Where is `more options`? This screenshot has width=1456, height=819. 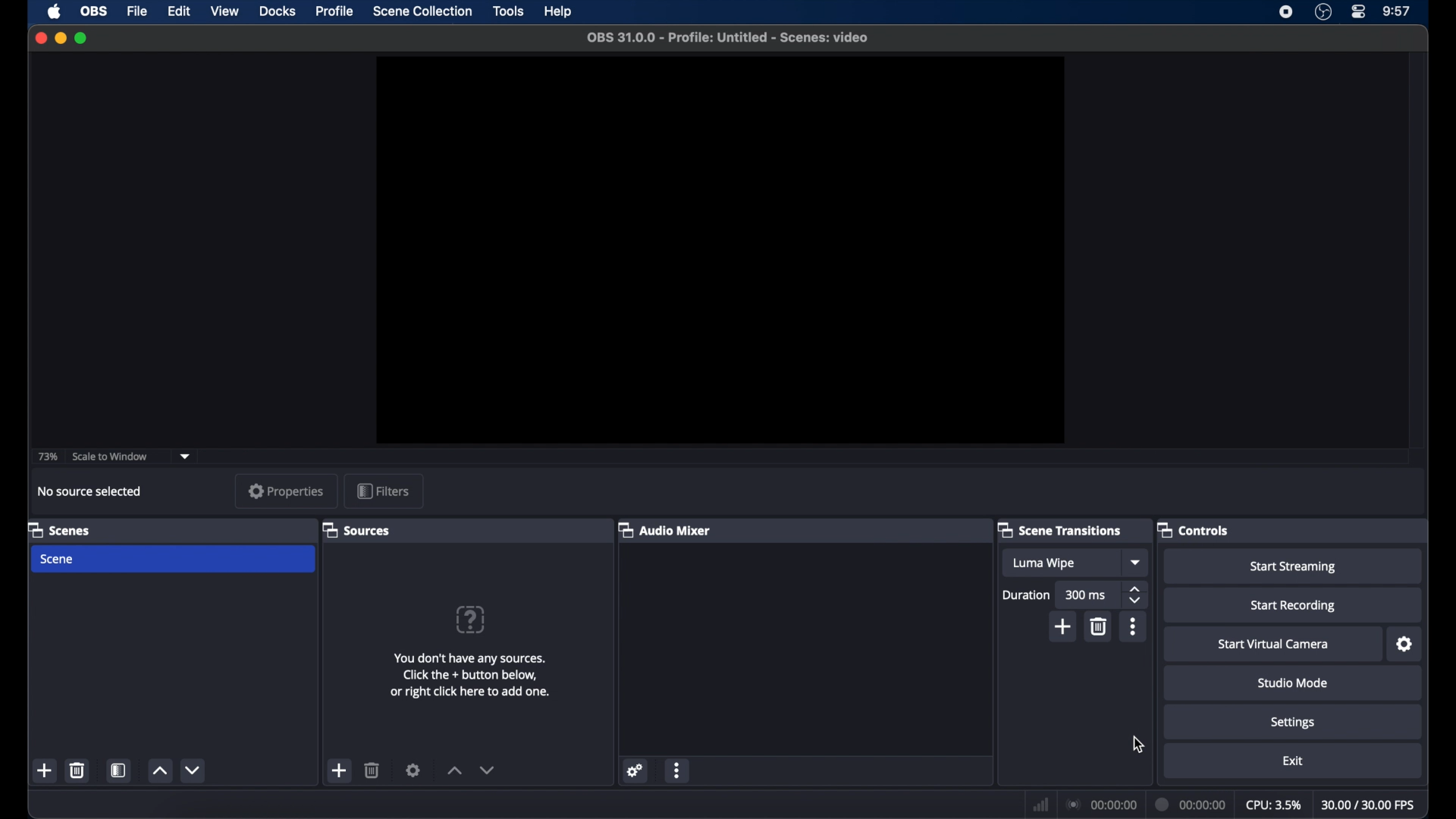 more options is located at coordinates (1134, 626).